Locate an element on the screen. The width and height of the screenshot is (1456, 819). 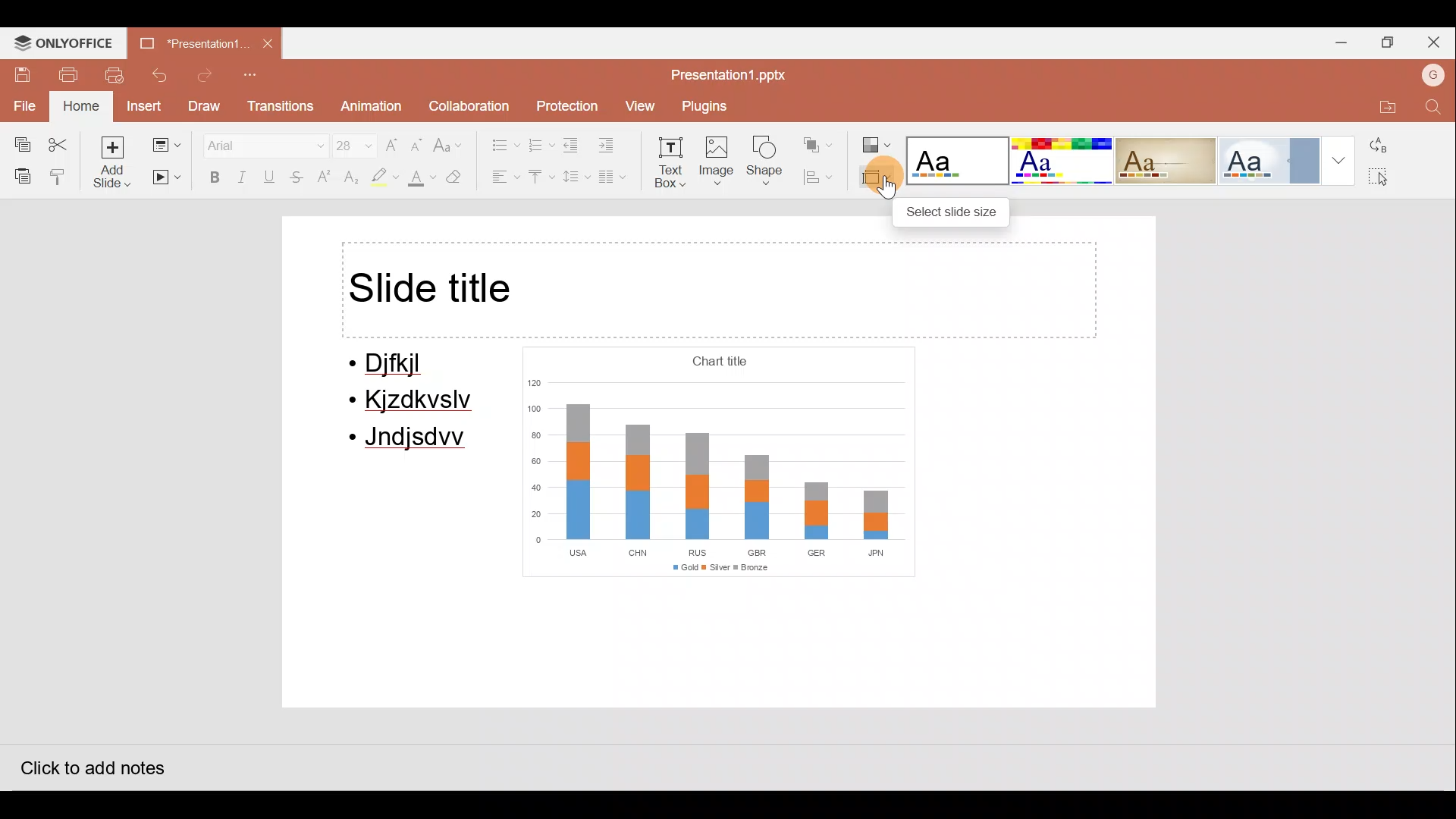
ONLYOFFICE is located at coordinates (65, 42).